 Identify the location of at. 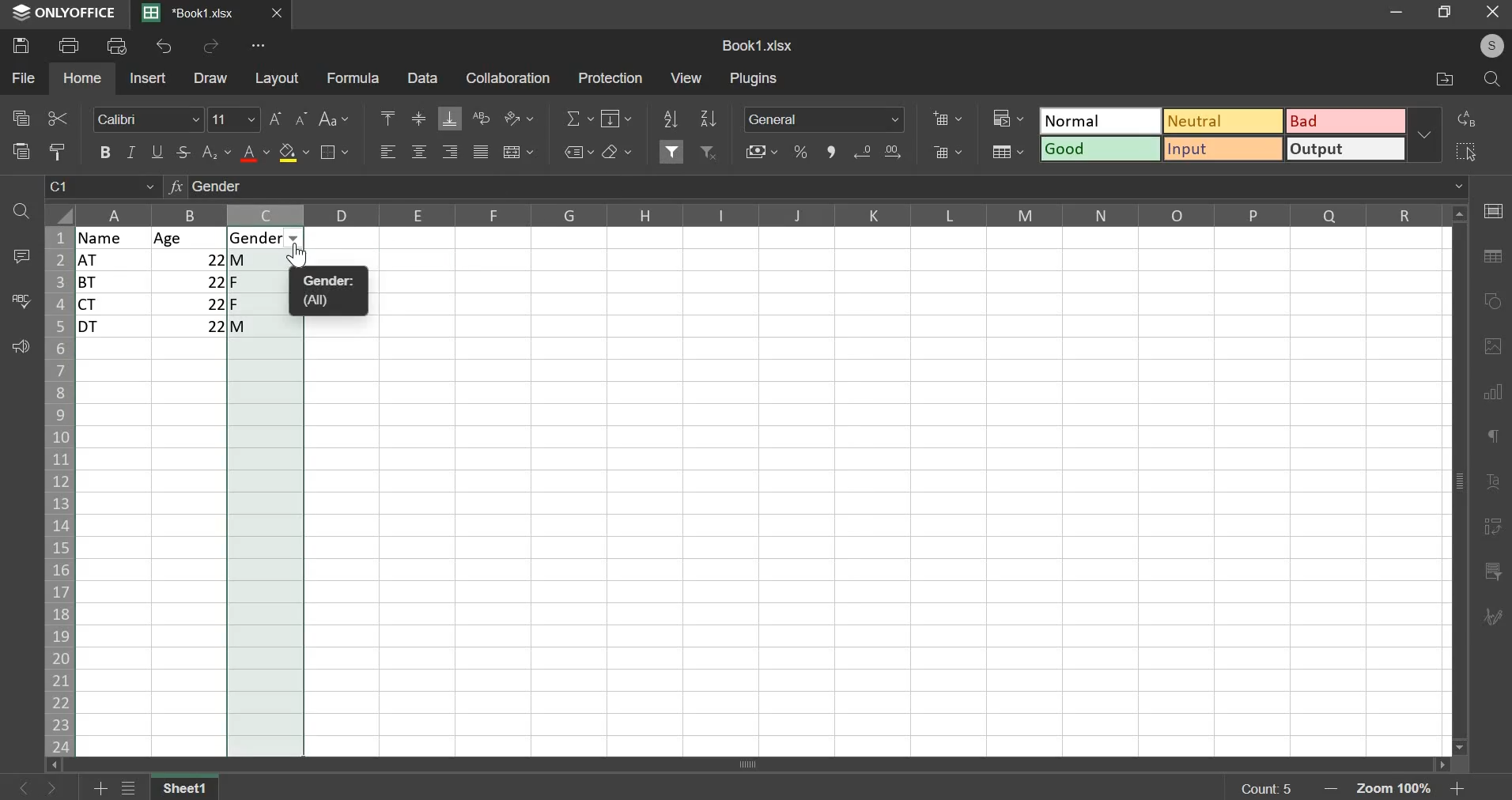
(113, 260).